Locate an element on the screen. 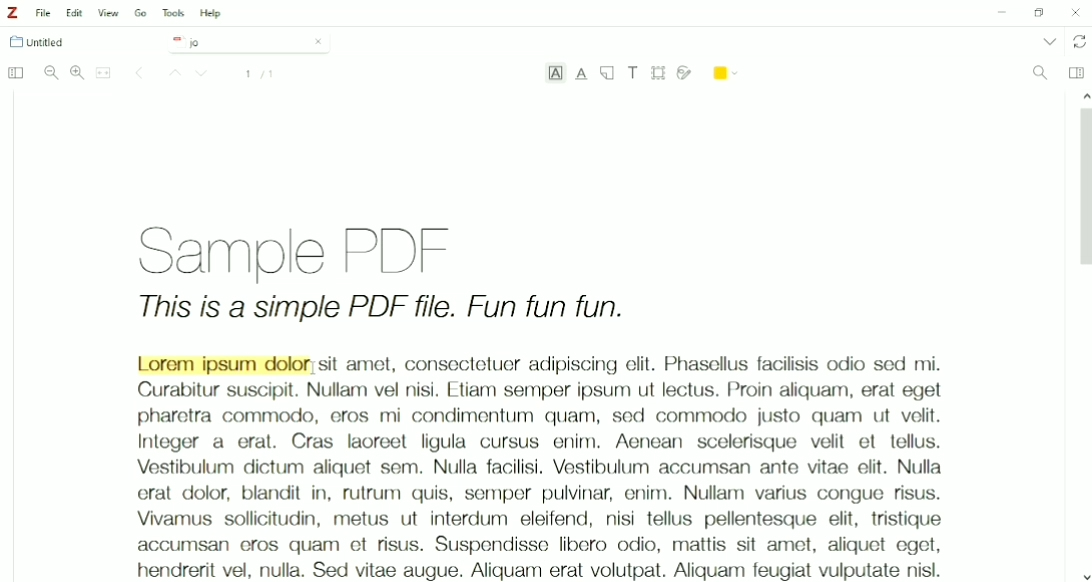  Down is located at coordinates (204, 75).